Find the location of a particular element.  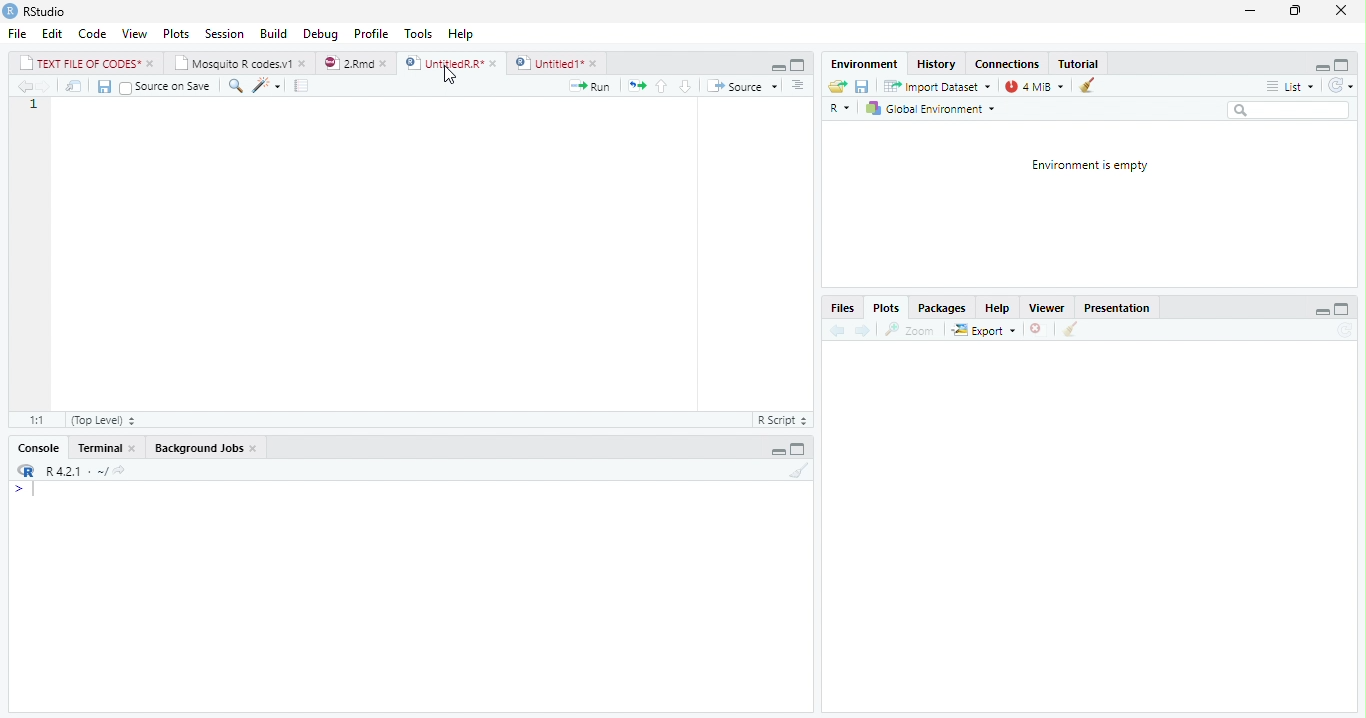

 History is located at coordinates (938, 66).